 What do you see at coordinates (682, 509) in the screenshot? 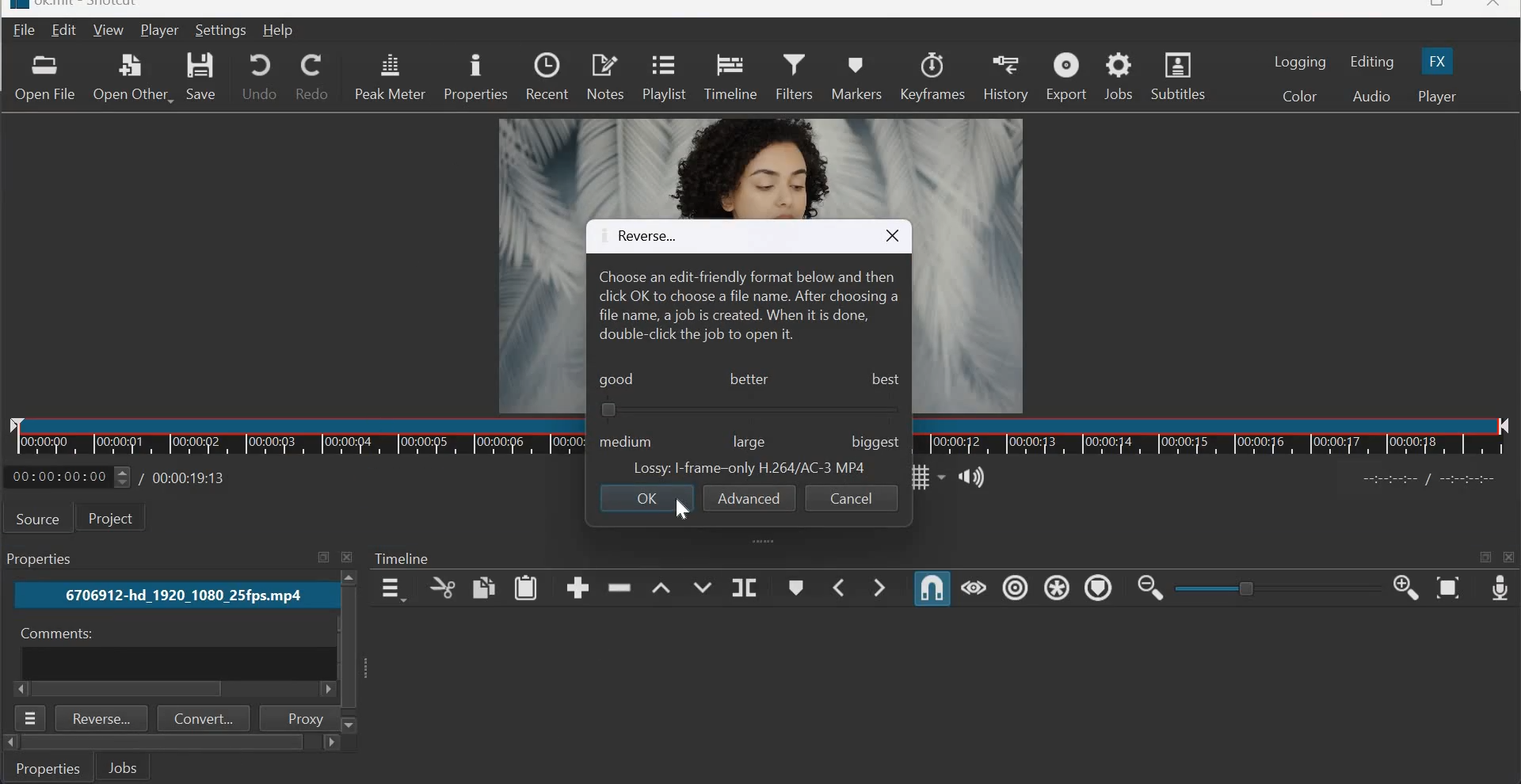
I see `cursor` at bounding box center [682, 509].